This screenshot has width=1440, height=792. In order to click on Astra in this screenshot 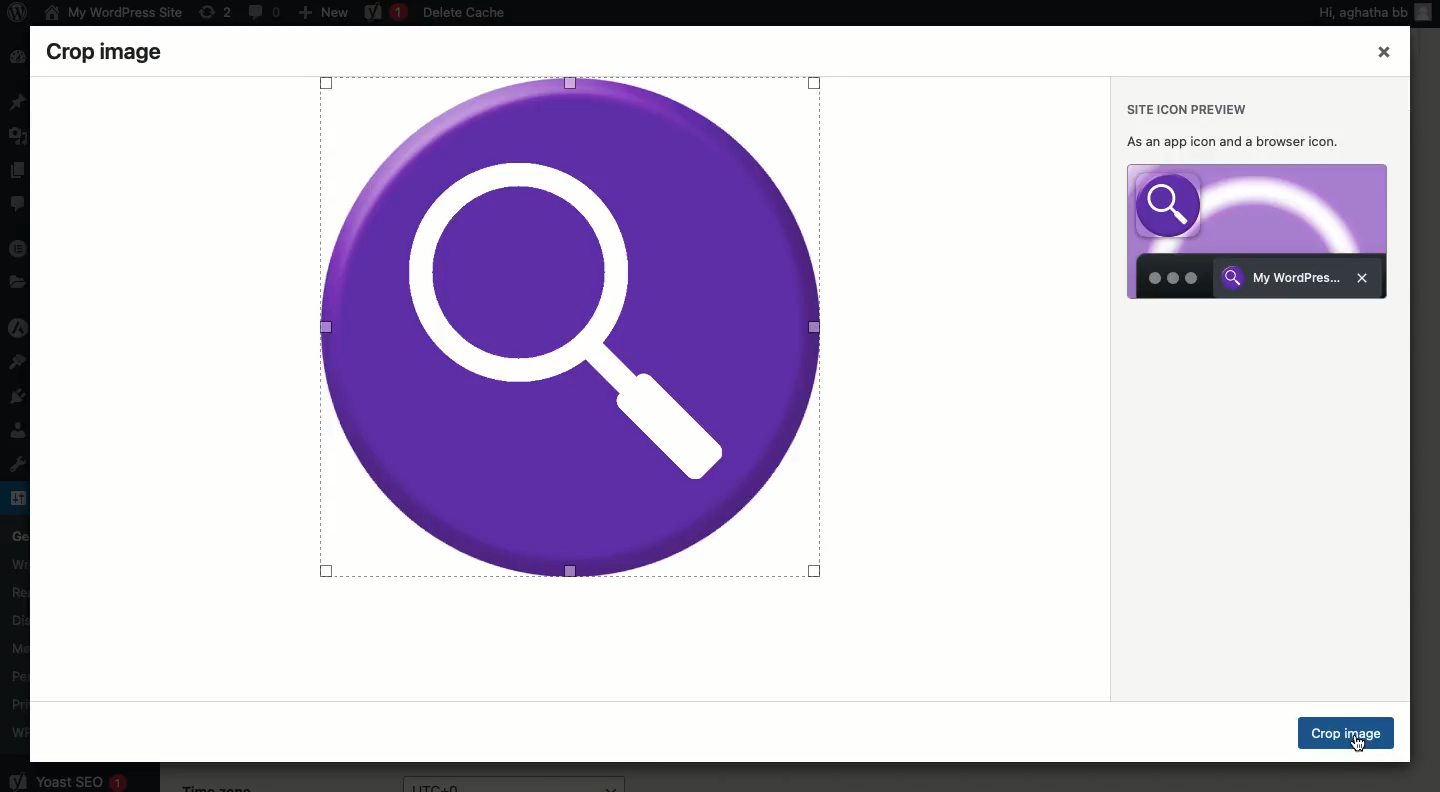, I will do `click(19, 330)`.